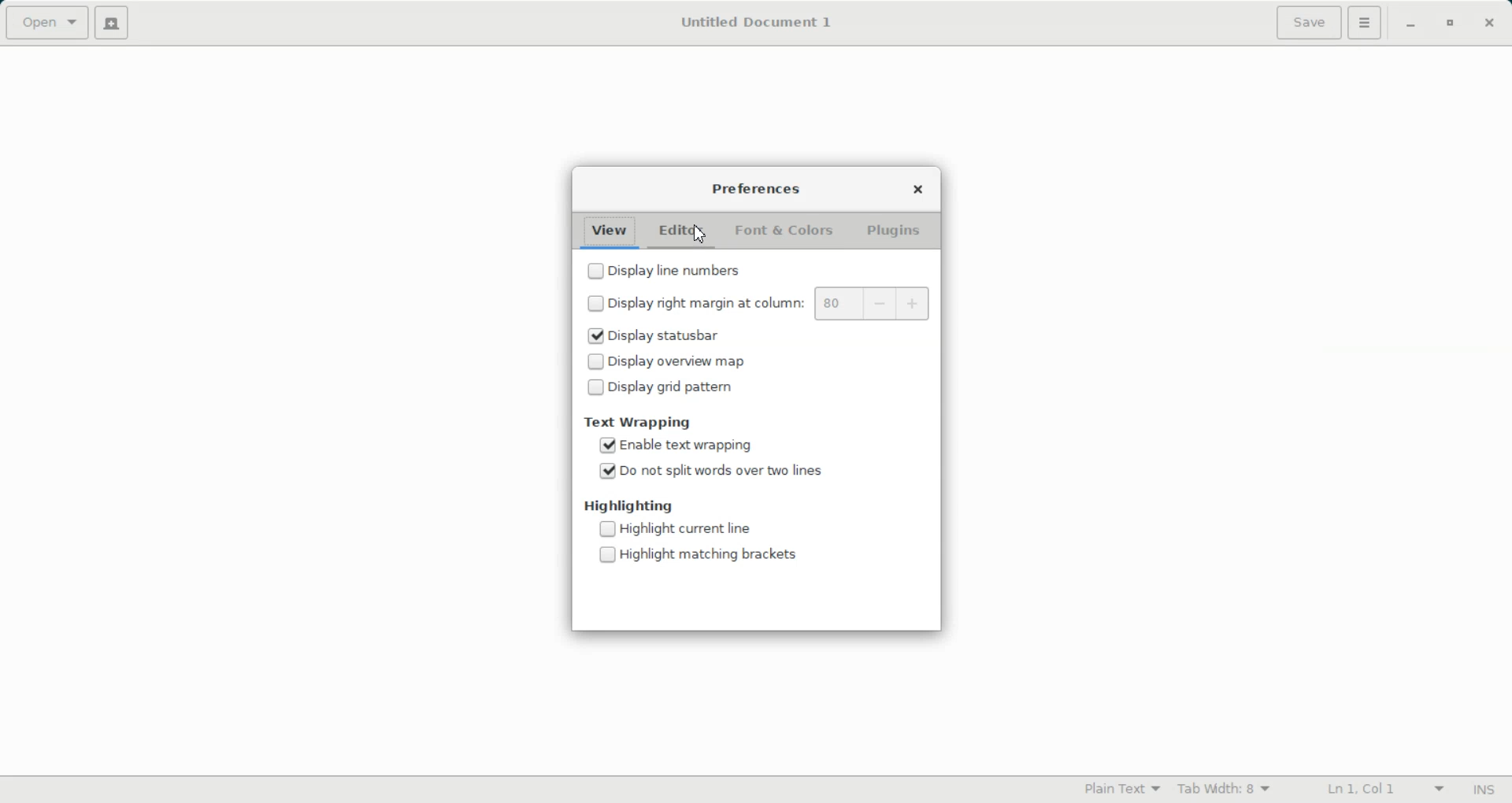 Image resolution: width=1512 pixels, height=803 pixels. What do you see at coordinates (610, 231) in the screenshot?
I see `View` at bounding box center [610, 231].